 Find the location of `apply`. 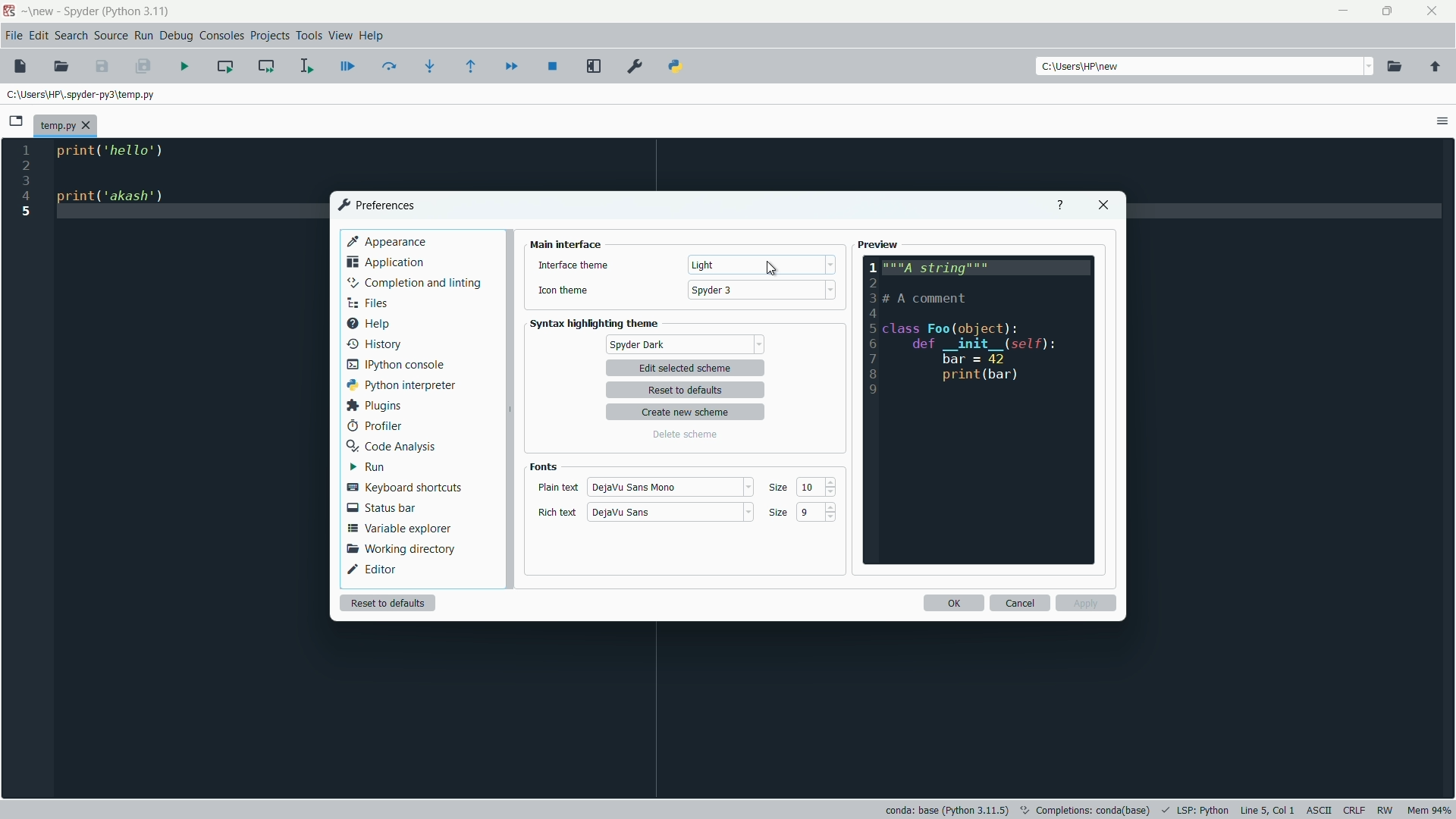

apply is located at coordinates (1087, 603).